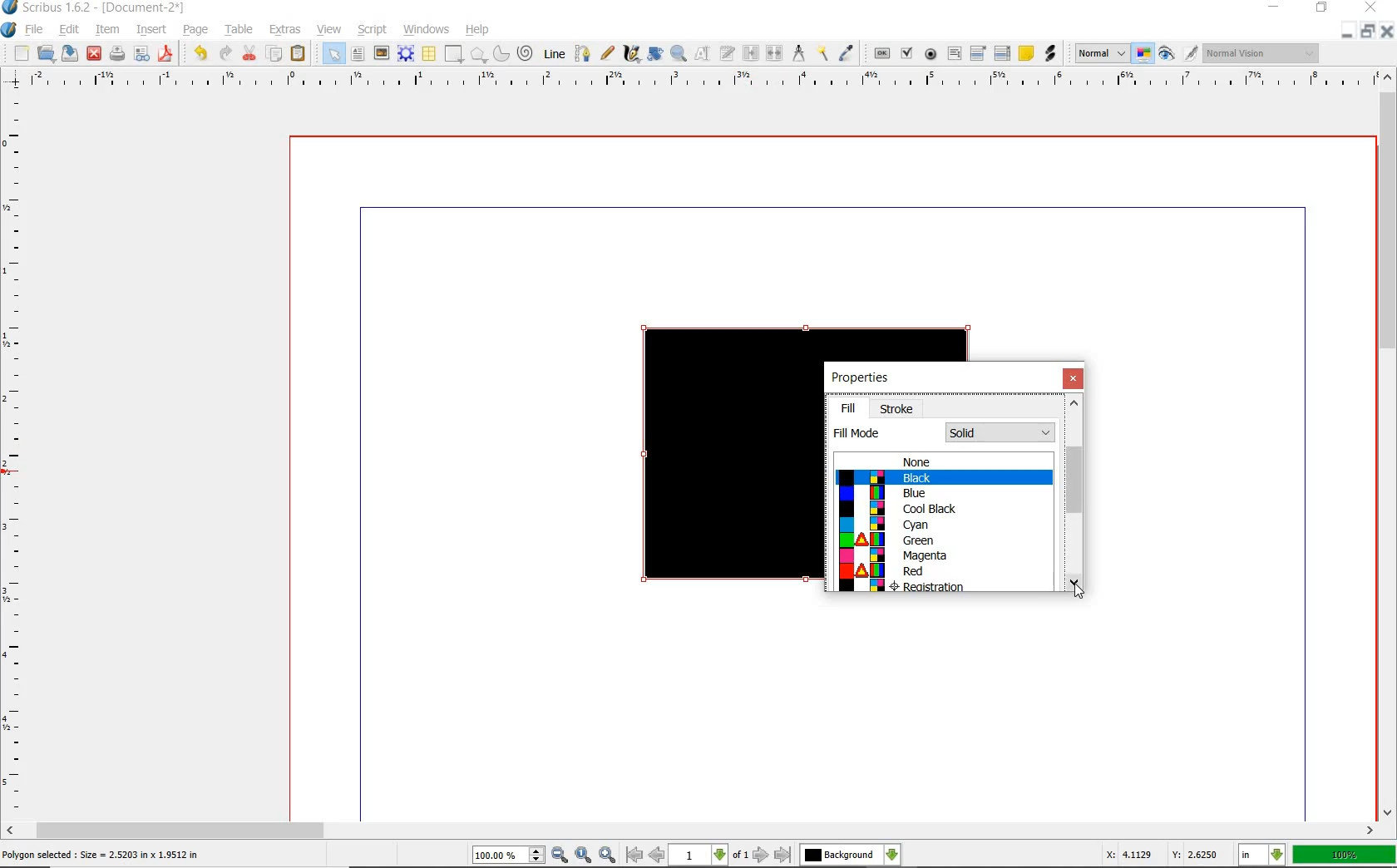  What do you see at coordinates (848, 52) in the screenshot?
I see `eye dropper` at bounding box center [848, 52].